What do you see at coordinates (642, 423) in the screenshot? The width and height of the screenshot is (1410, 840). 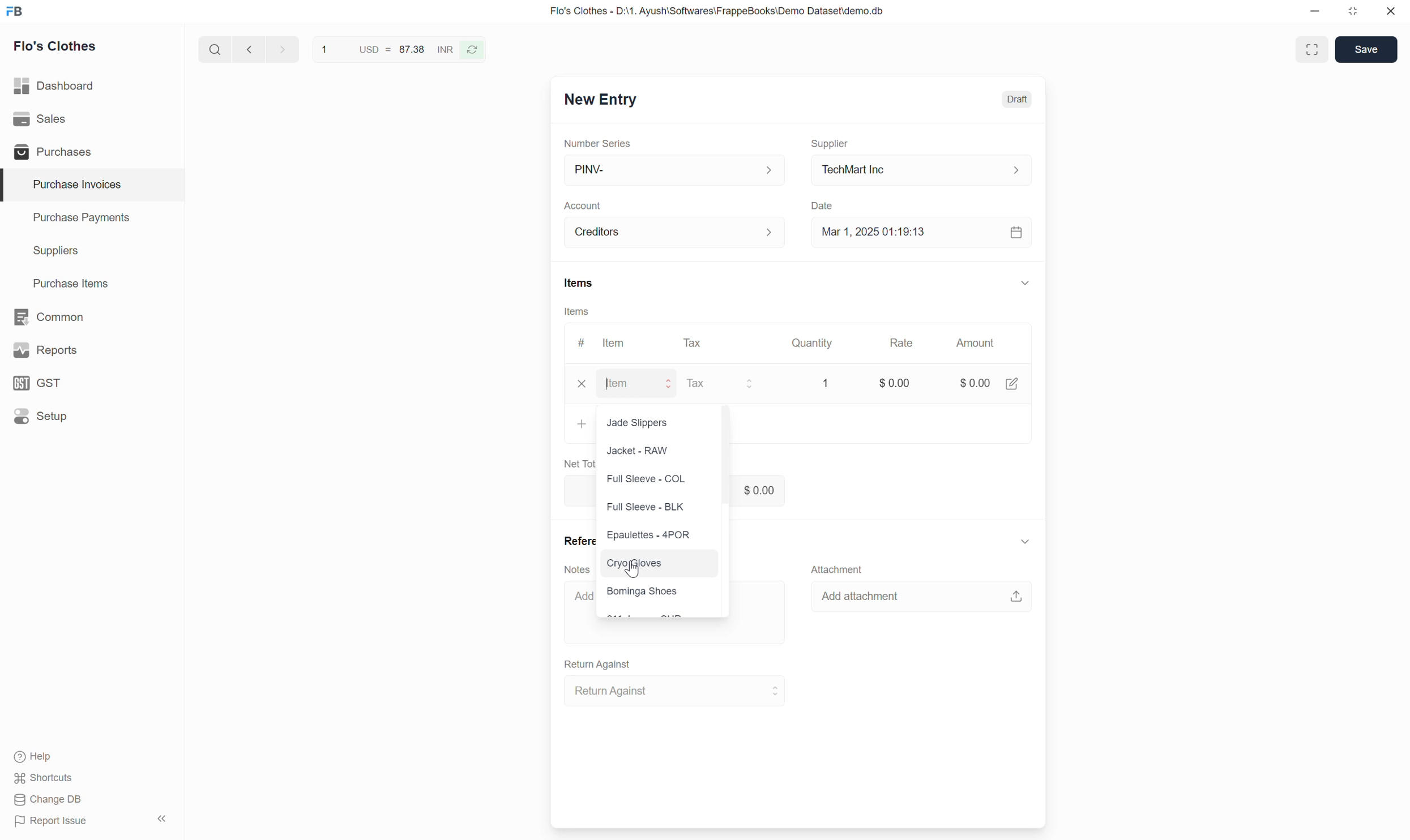 I see `Jade Slippers` at bounding box center [642, 423].